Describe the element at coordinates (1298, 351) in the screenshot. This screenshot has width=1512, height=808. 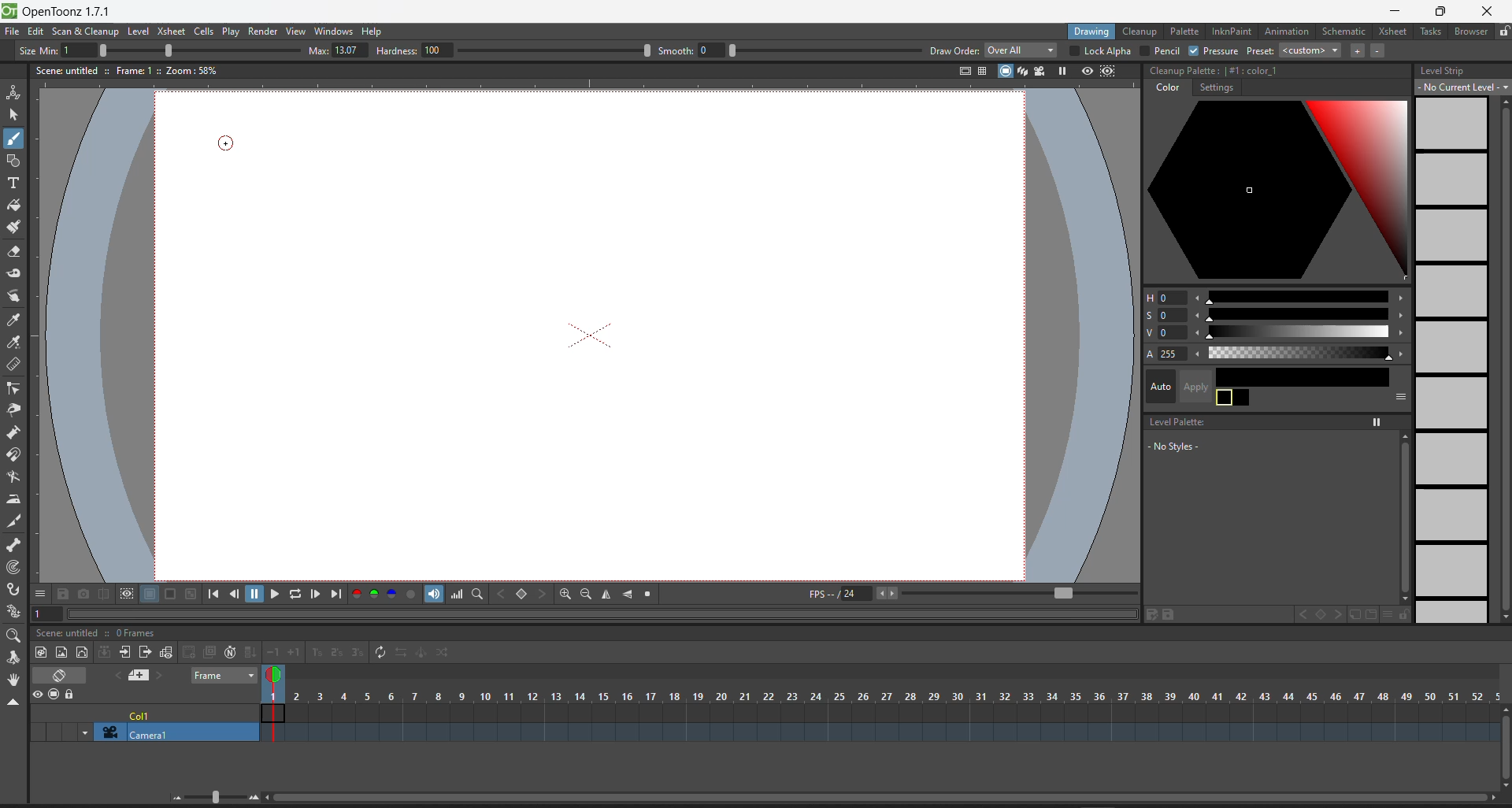
I see `slider` at that location.